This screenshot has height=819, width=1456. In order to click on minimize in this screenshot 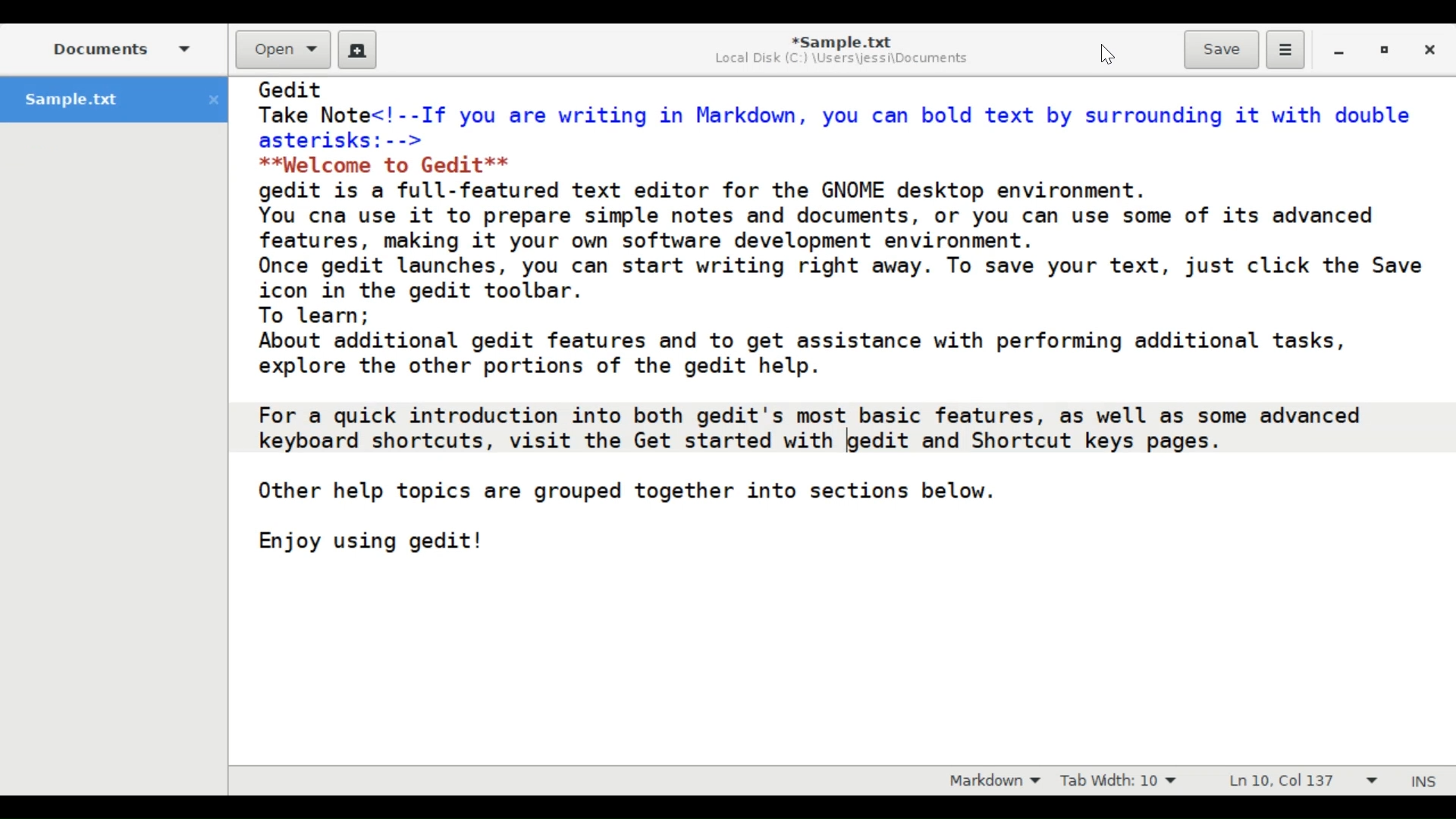, I will do `click(1340, 52)`.